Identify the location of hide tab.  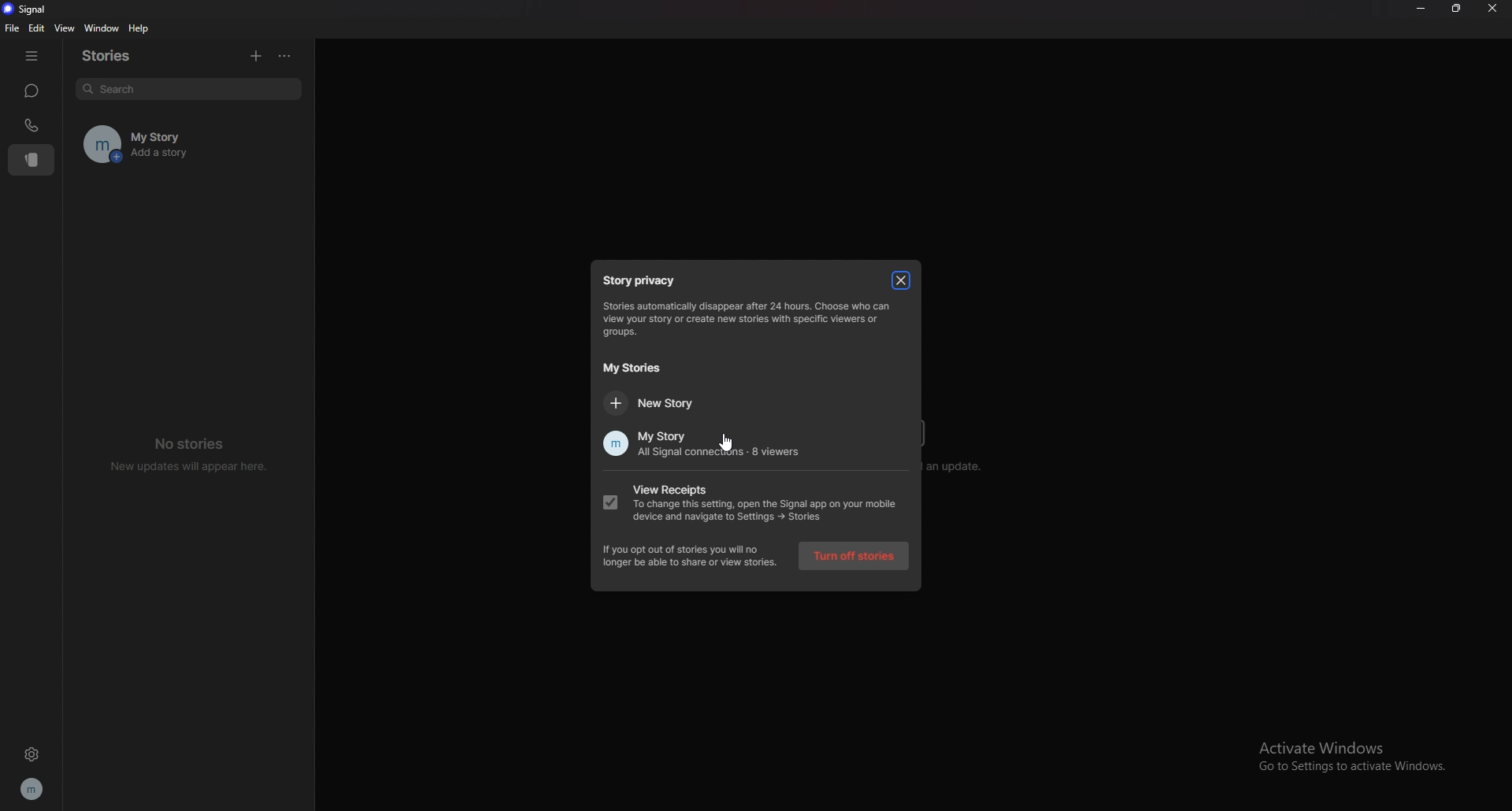
(31, 56).